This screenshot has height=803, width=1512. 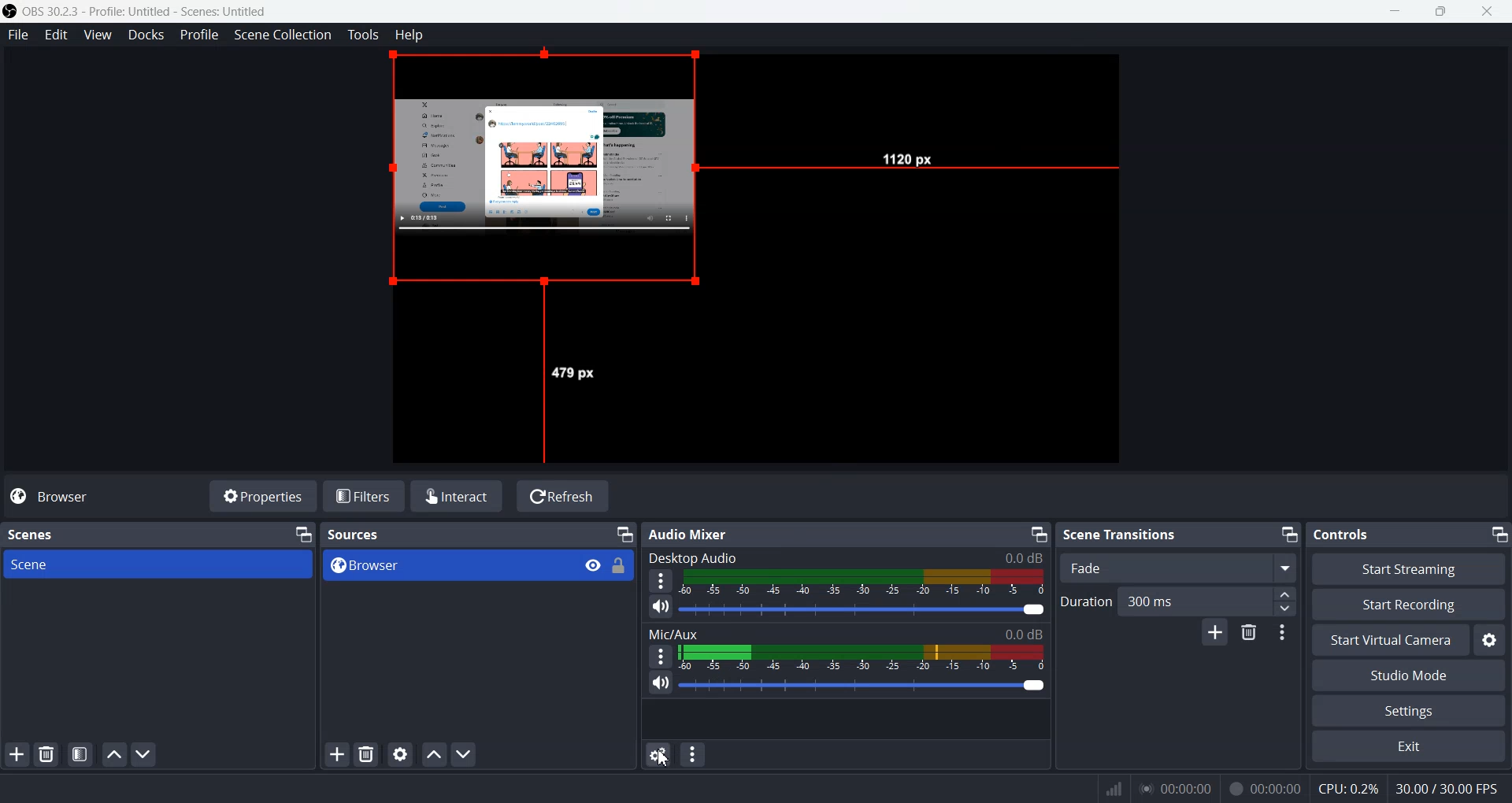 I want to click on Move scene up, so click(x=113, y=754).